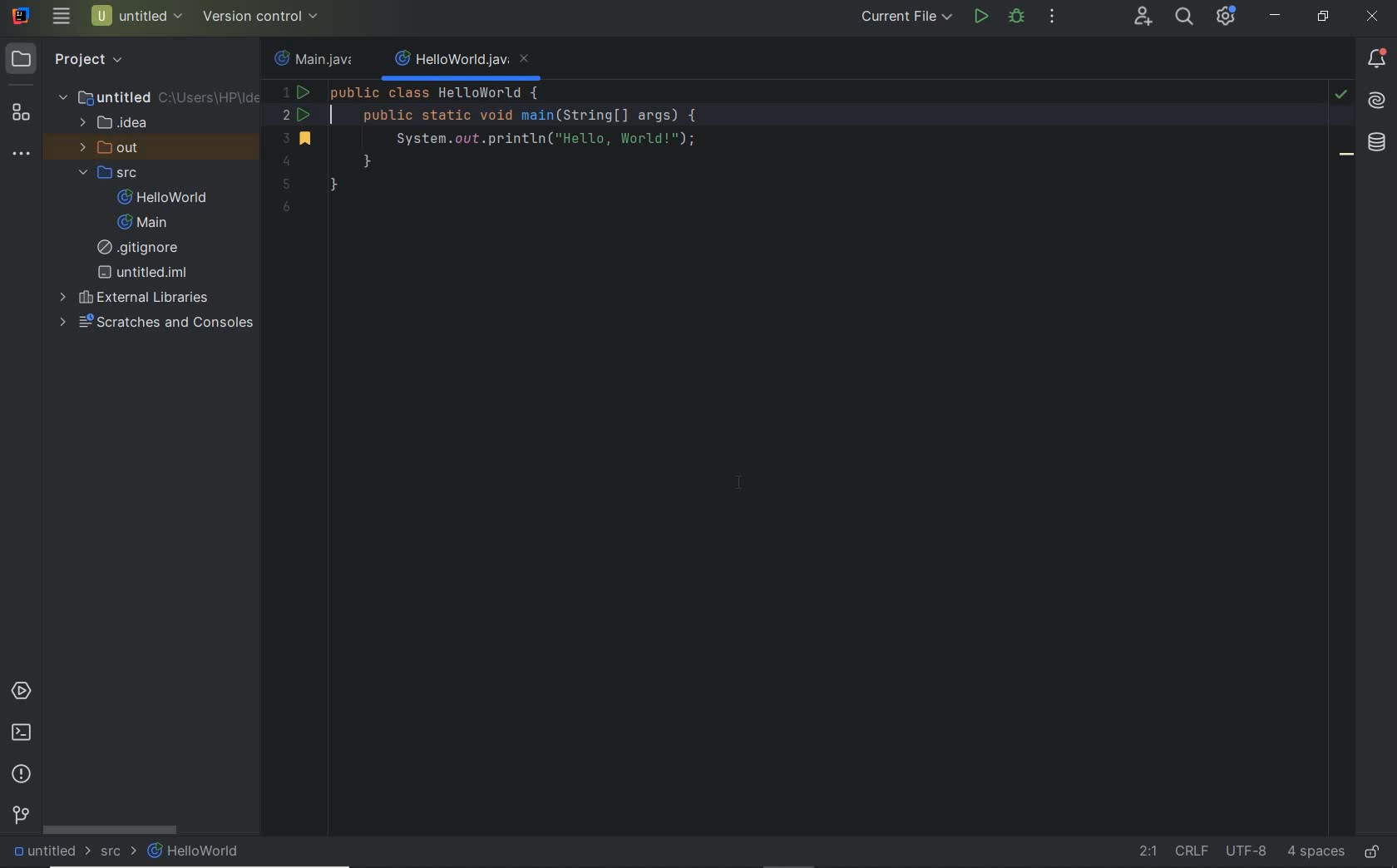  I want to click on Notifications, so click(1377, 60).